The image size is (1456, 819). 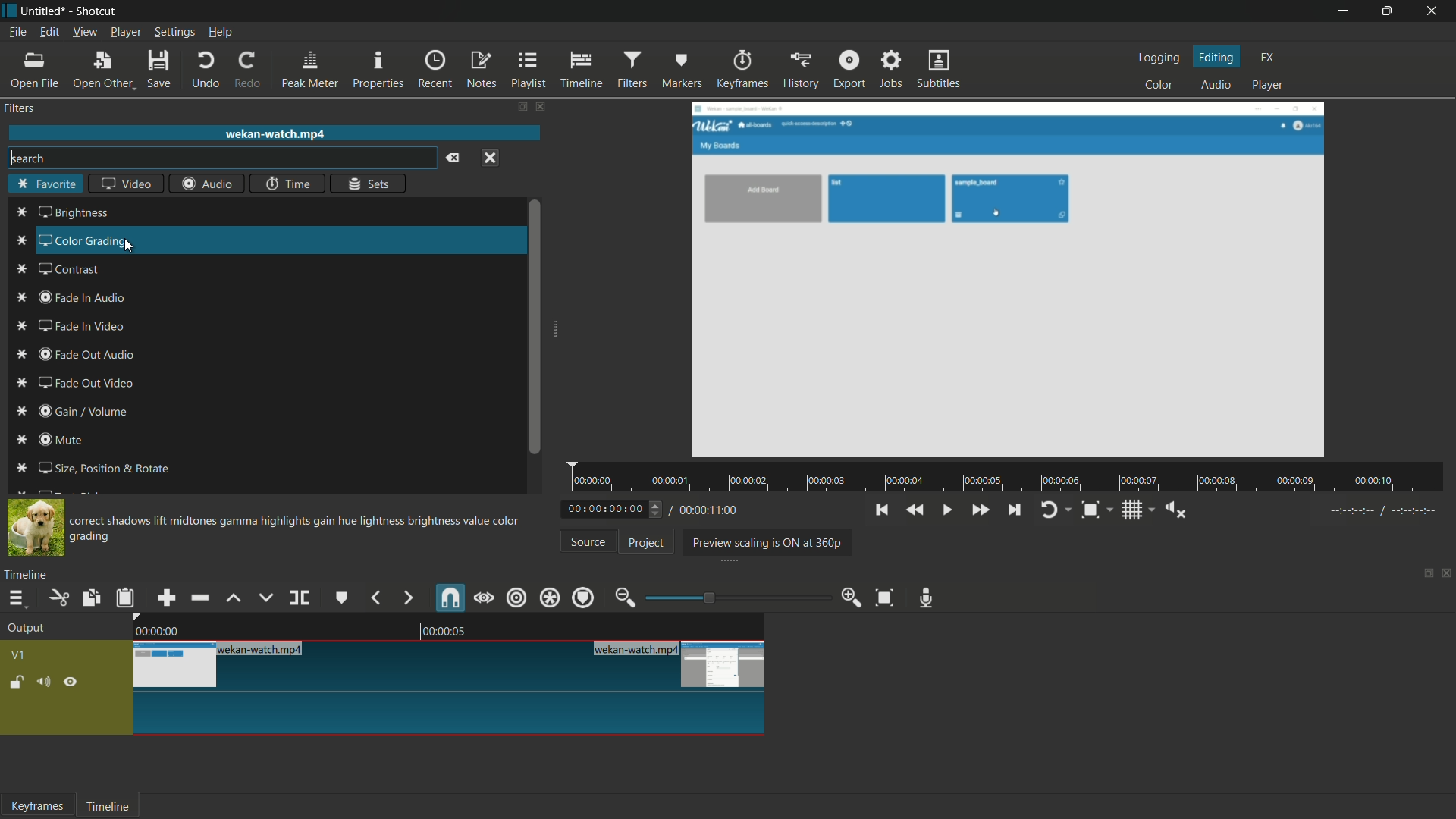 I want to click on zoom out, so click(x=624, y=597).